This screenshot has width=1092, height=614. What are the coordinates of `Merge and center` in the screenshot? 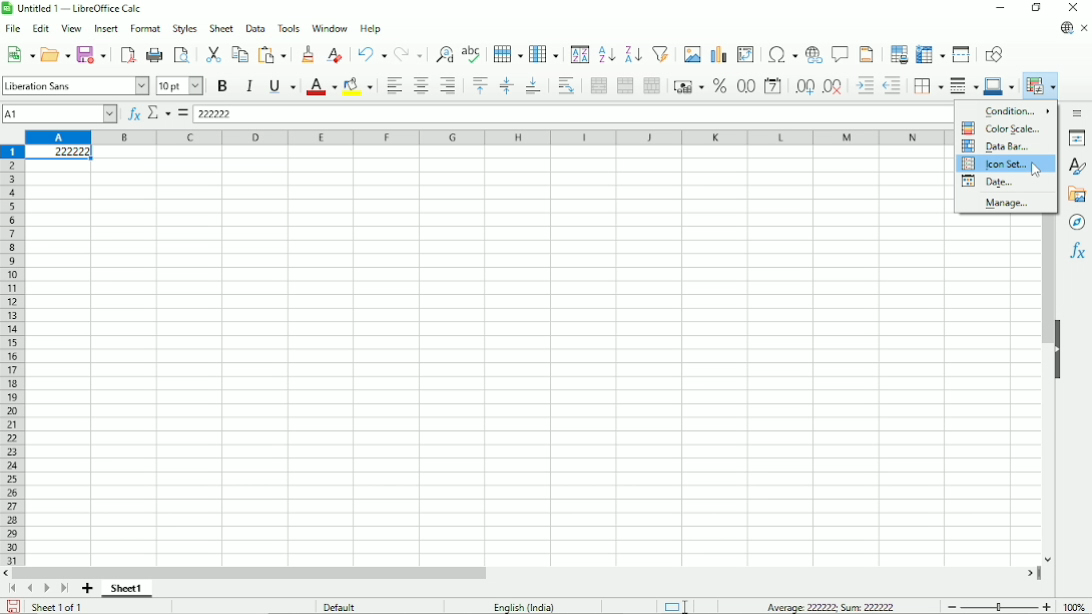 It's located at (598, 85).